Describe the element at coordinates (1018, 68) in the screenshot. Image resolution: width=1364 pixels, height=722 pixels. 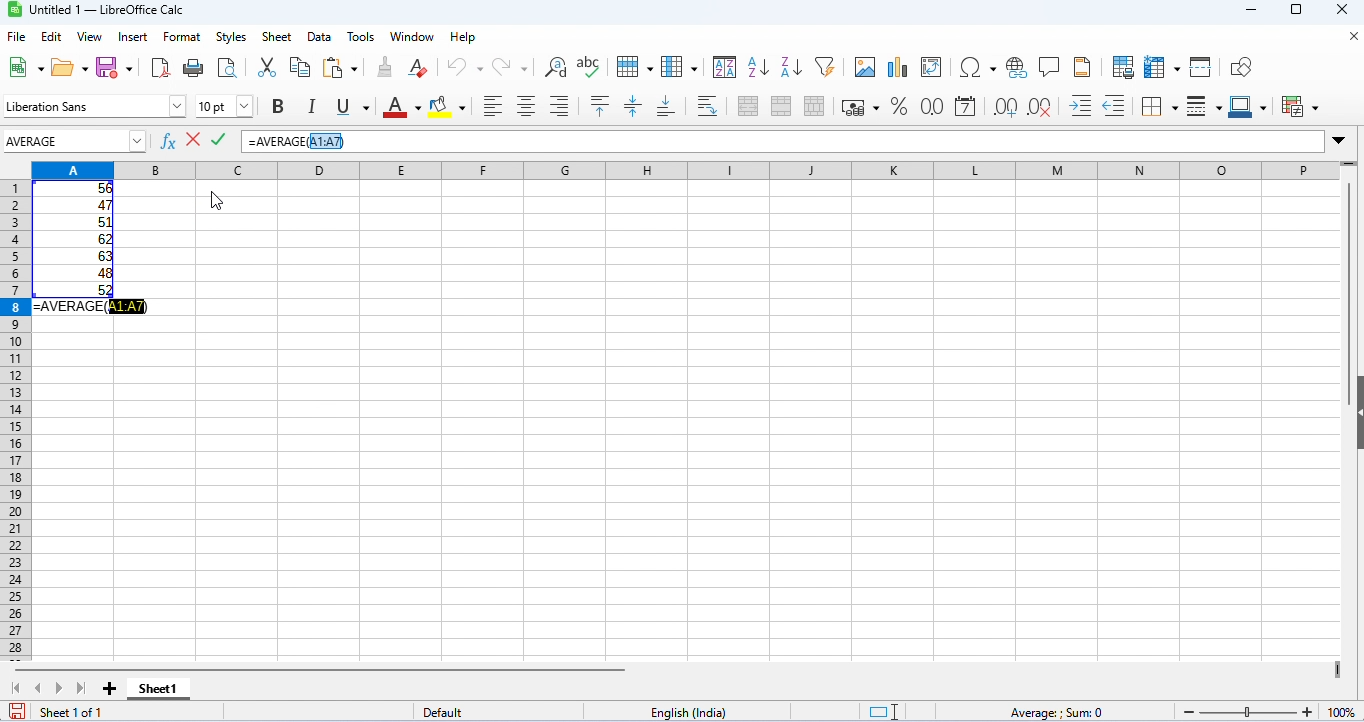
I see `insert hyperlink` at that location.